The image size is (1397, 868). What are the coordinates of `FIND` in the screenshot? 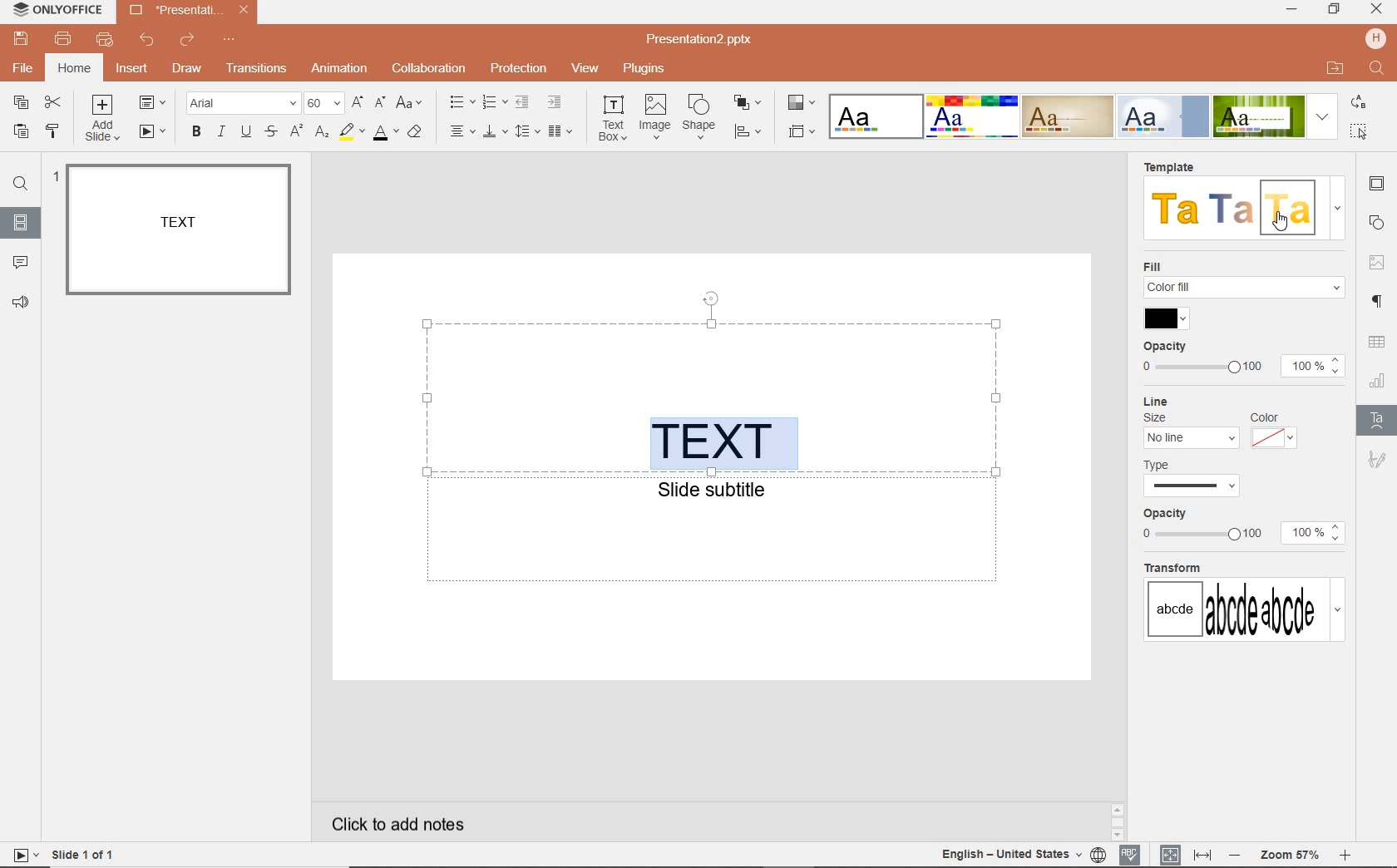 It's located at (21, 184).